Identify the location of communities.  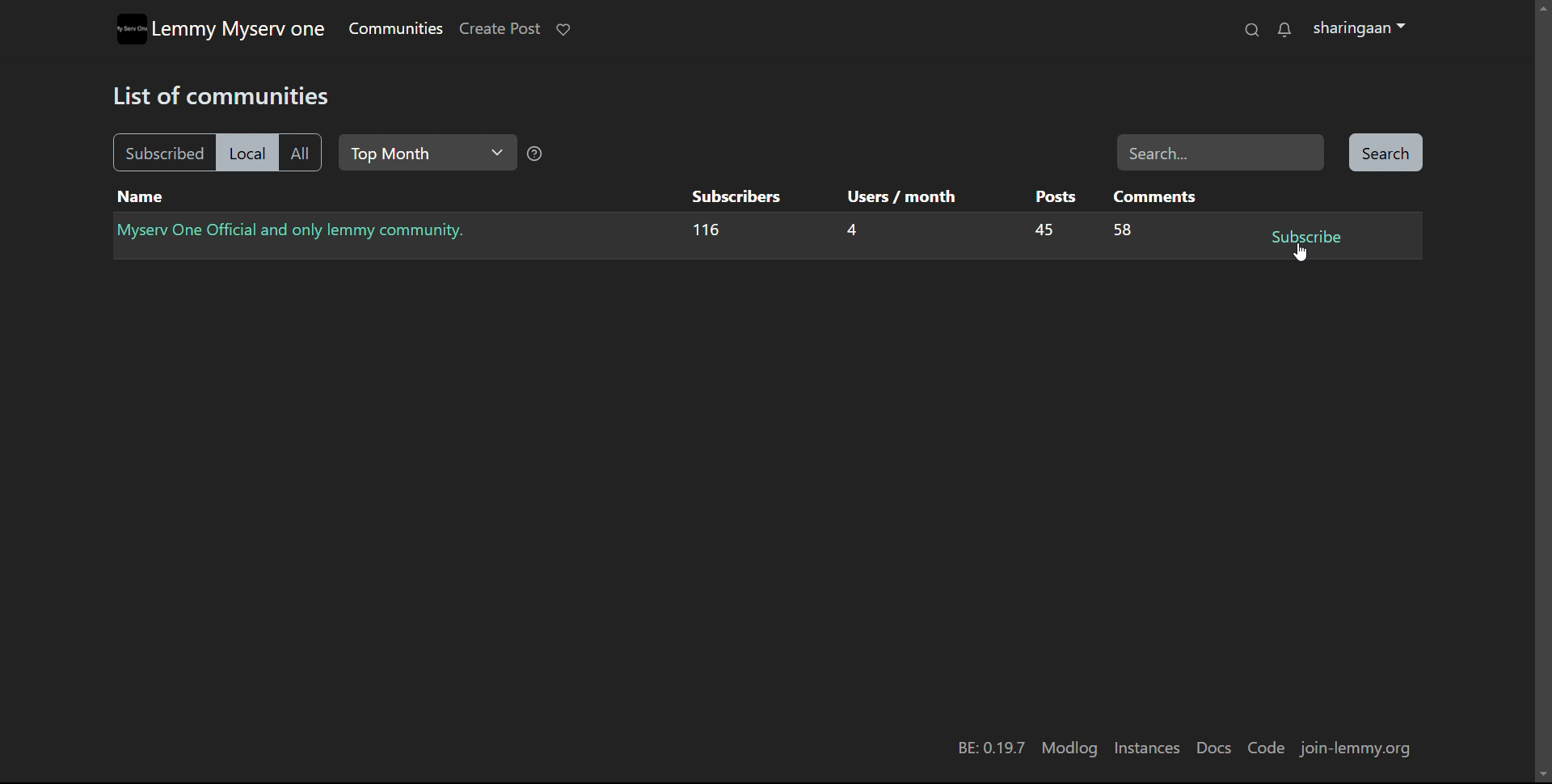
(394, 28).